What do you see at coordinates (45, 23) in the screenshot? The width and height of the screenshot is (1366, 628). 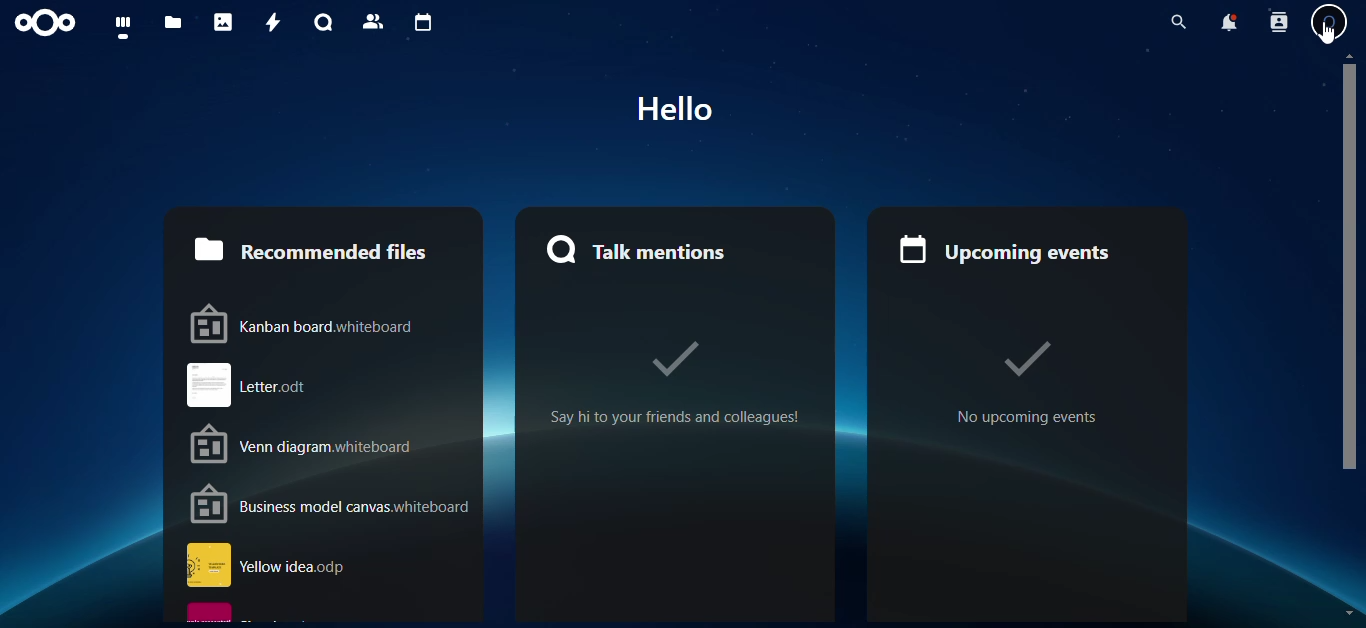 I see `nextcloud logo` at bounding box center [45, 23].